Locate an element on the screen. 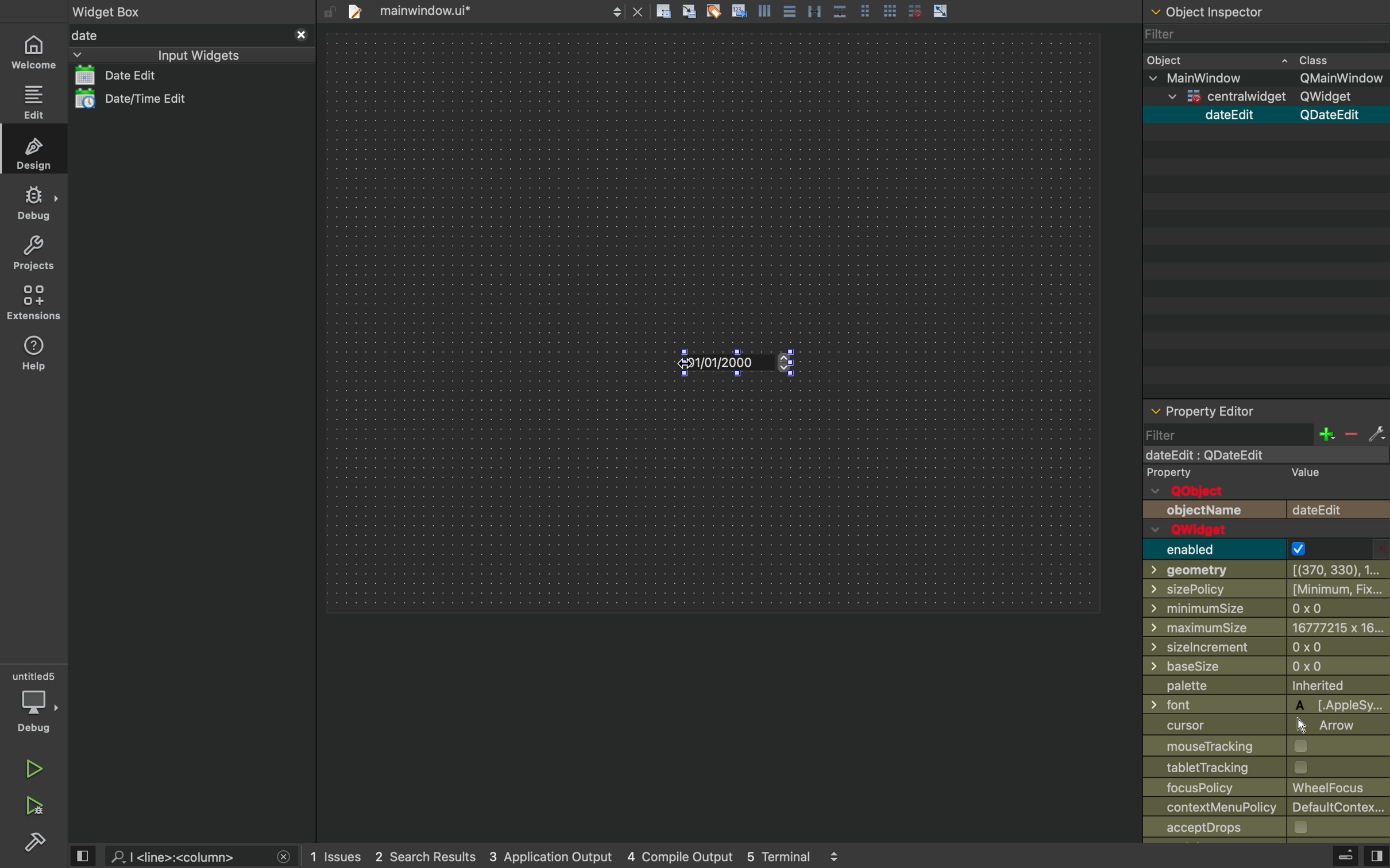 The height and width of the screenshot is (868, 1390). align center is located at coordinates (789, 10).